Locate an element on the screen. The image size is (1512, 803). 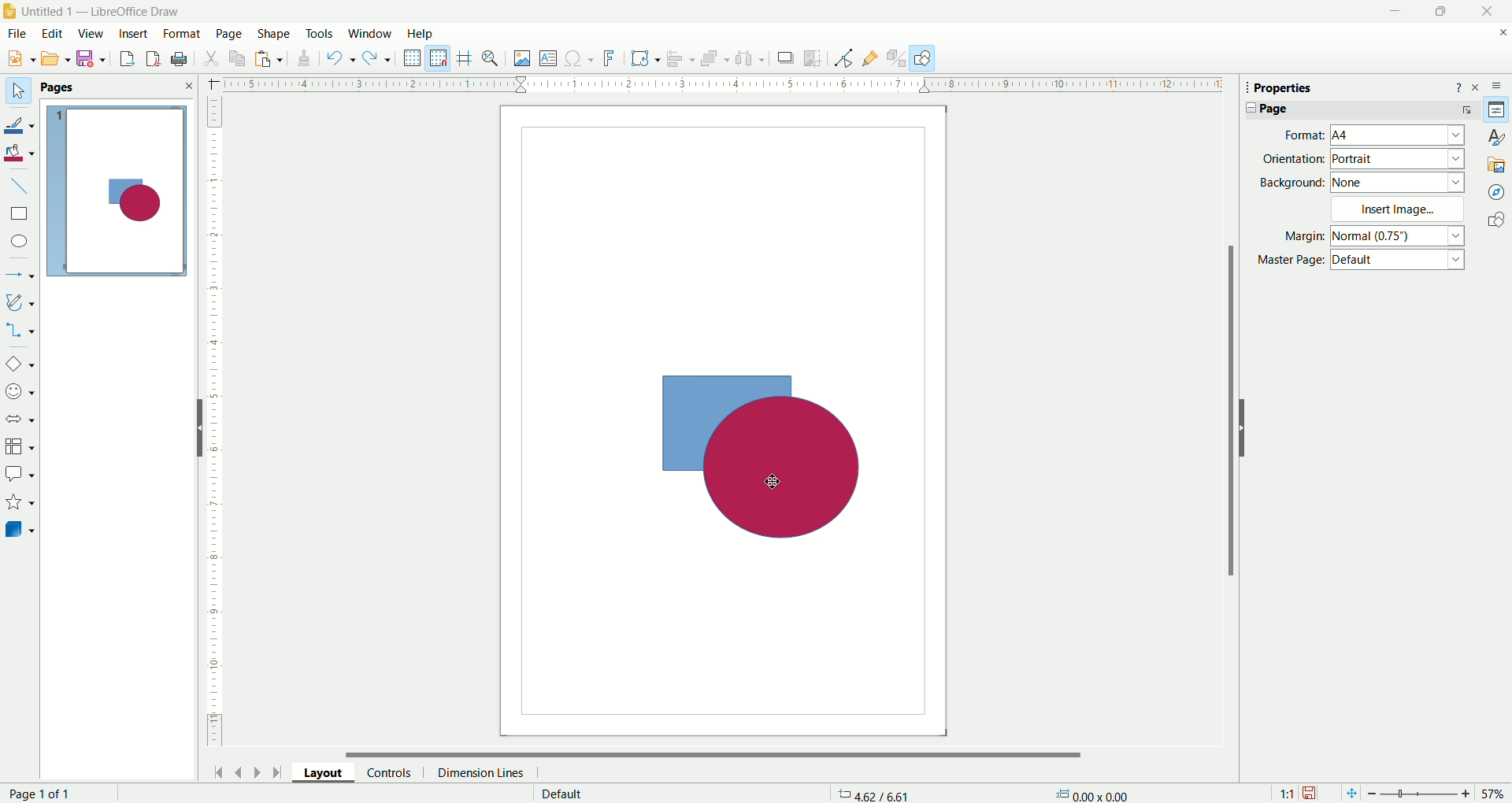
gallery is located at coordinates (1495, 163).